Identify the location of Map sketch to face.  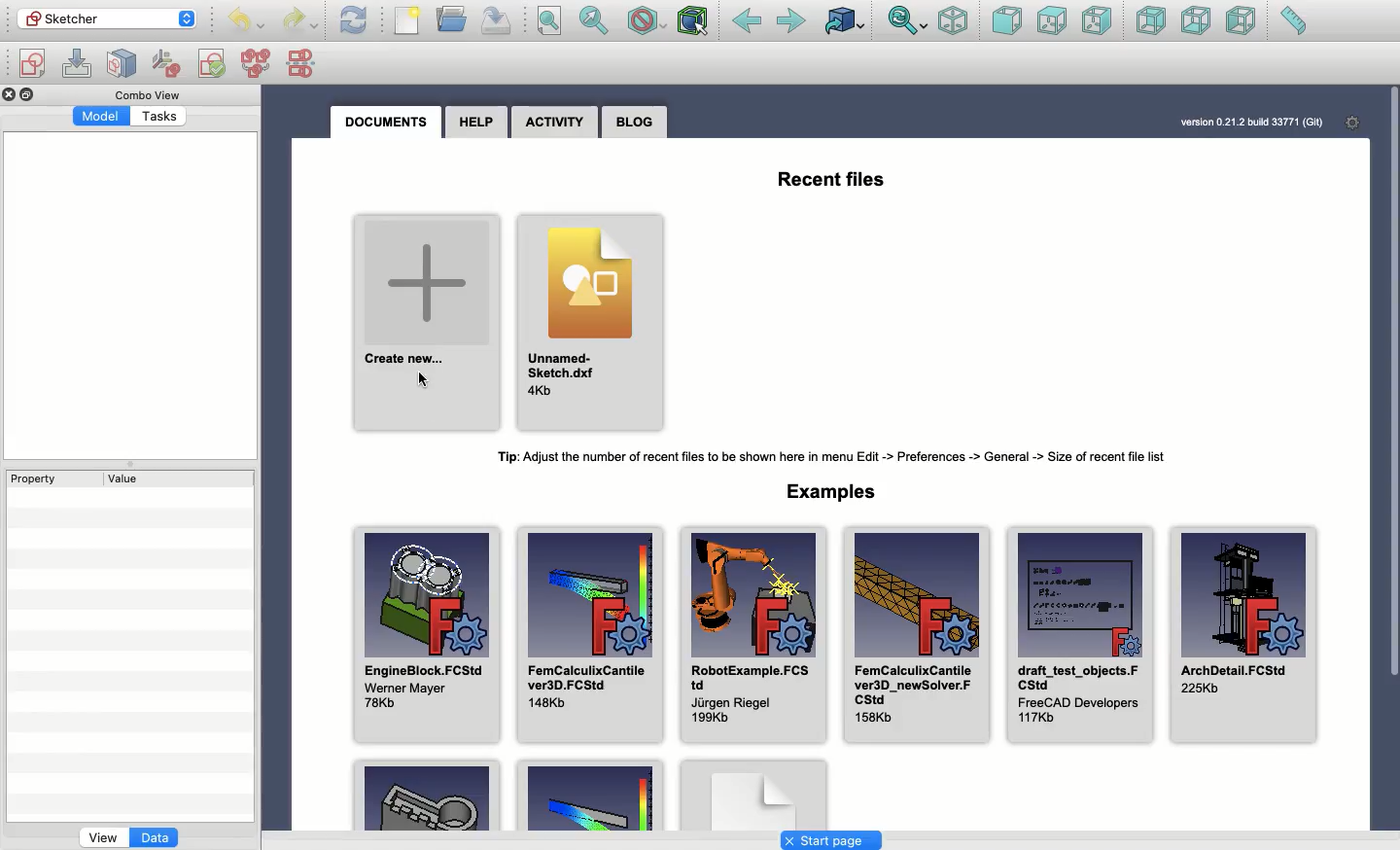
(126, 64).